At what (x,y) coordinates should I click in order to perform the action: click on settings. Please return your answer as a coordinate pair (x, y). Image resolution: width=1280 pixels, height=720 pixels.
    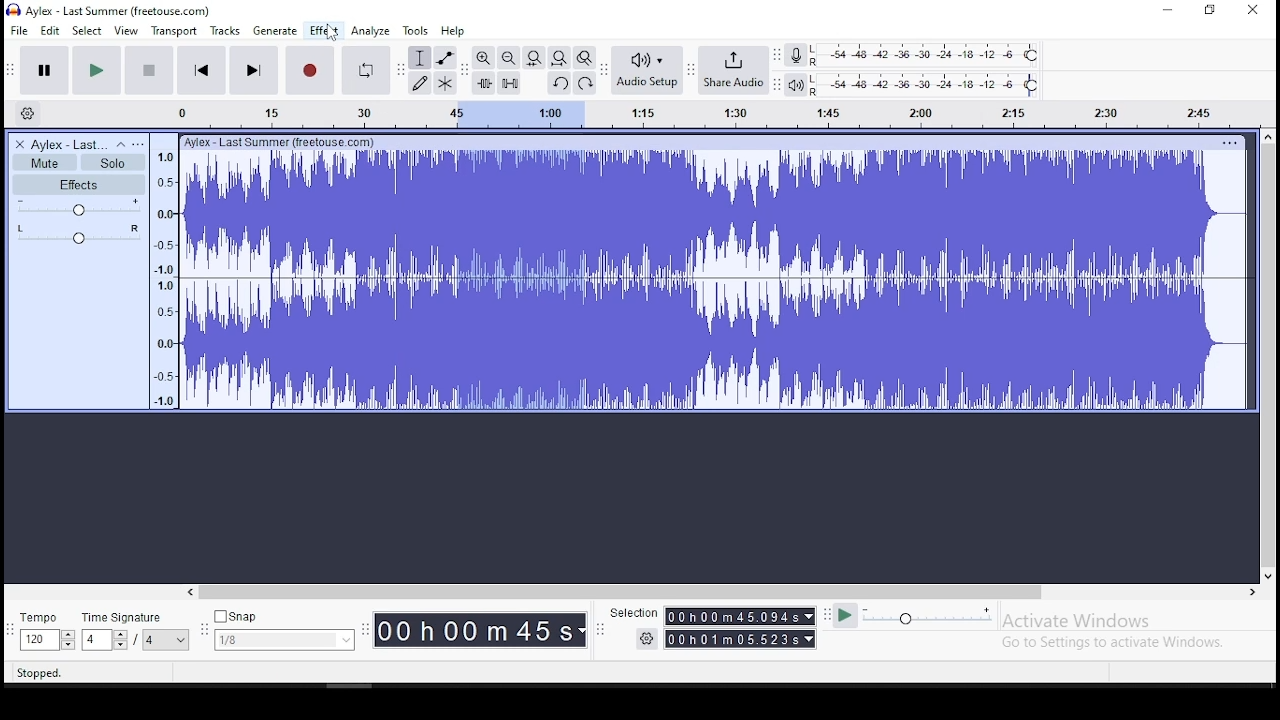
    Looking at the image, I should click on (635, 639).